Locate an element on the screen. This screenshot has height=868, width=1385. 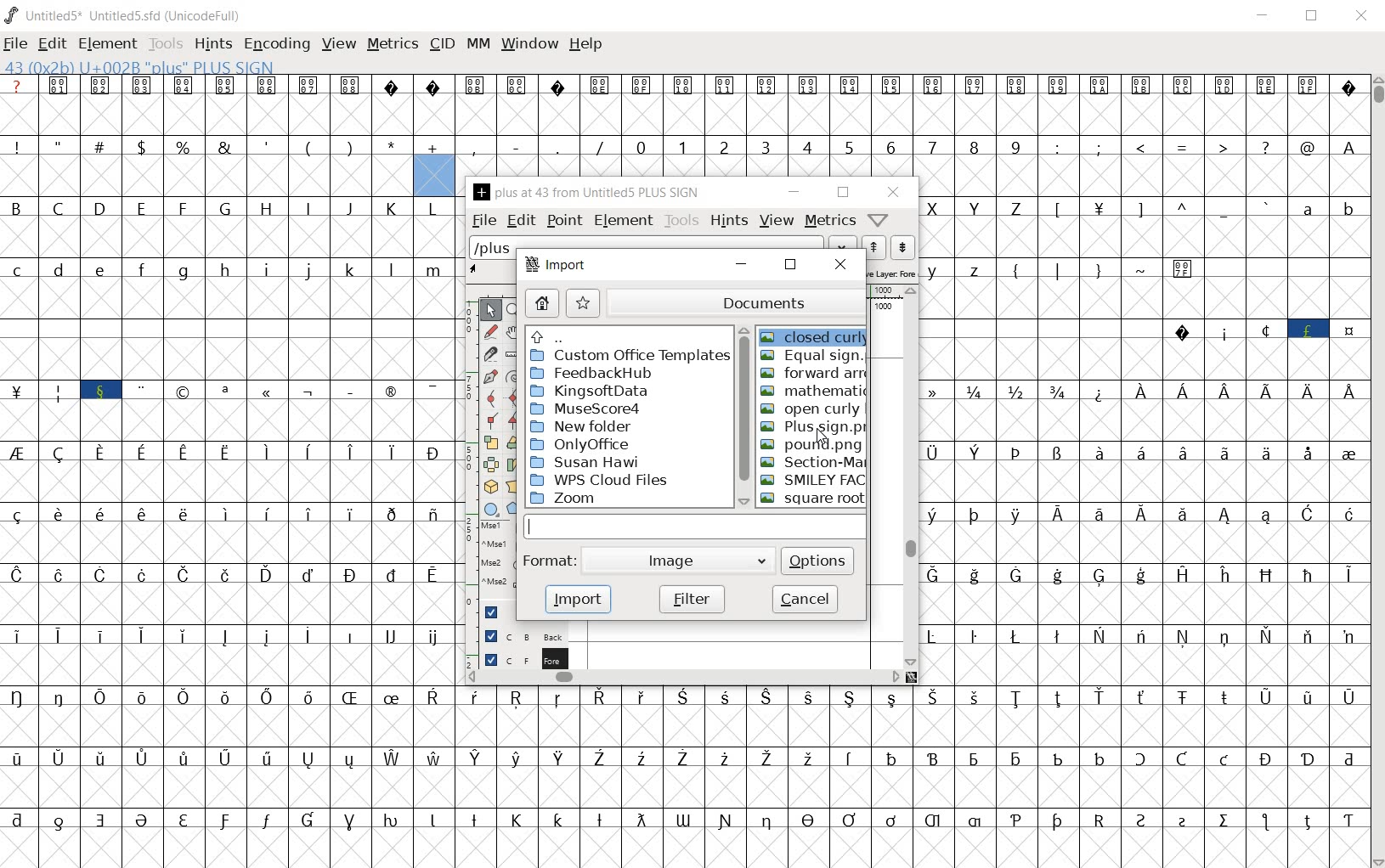
measure a distance, angle between points is located at coordinates (513, 354).